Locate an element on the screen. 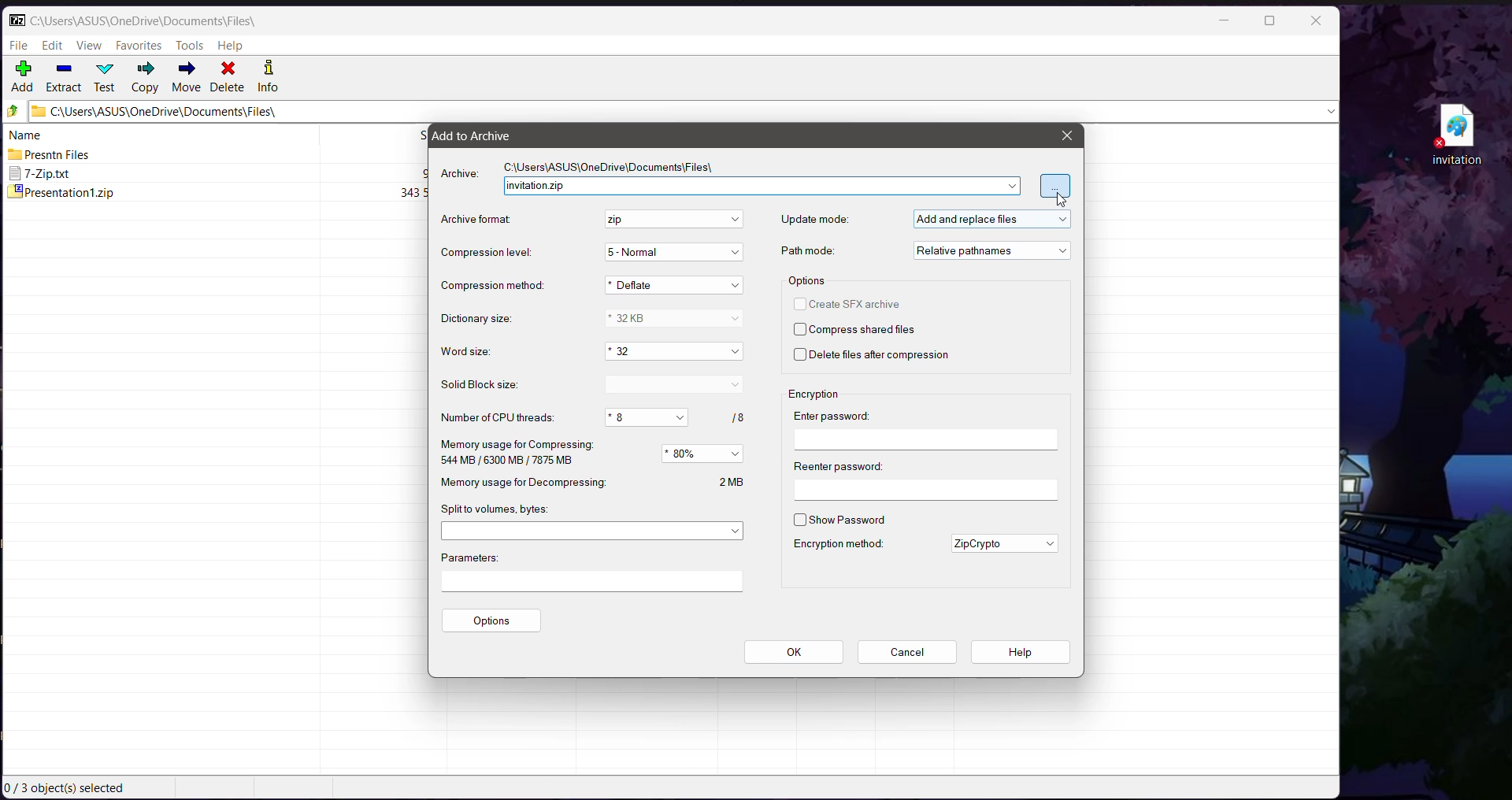 This screenshot has height=800, width=1512. Set the Split to volumes, in bytes is located at coordinates (593, 530).